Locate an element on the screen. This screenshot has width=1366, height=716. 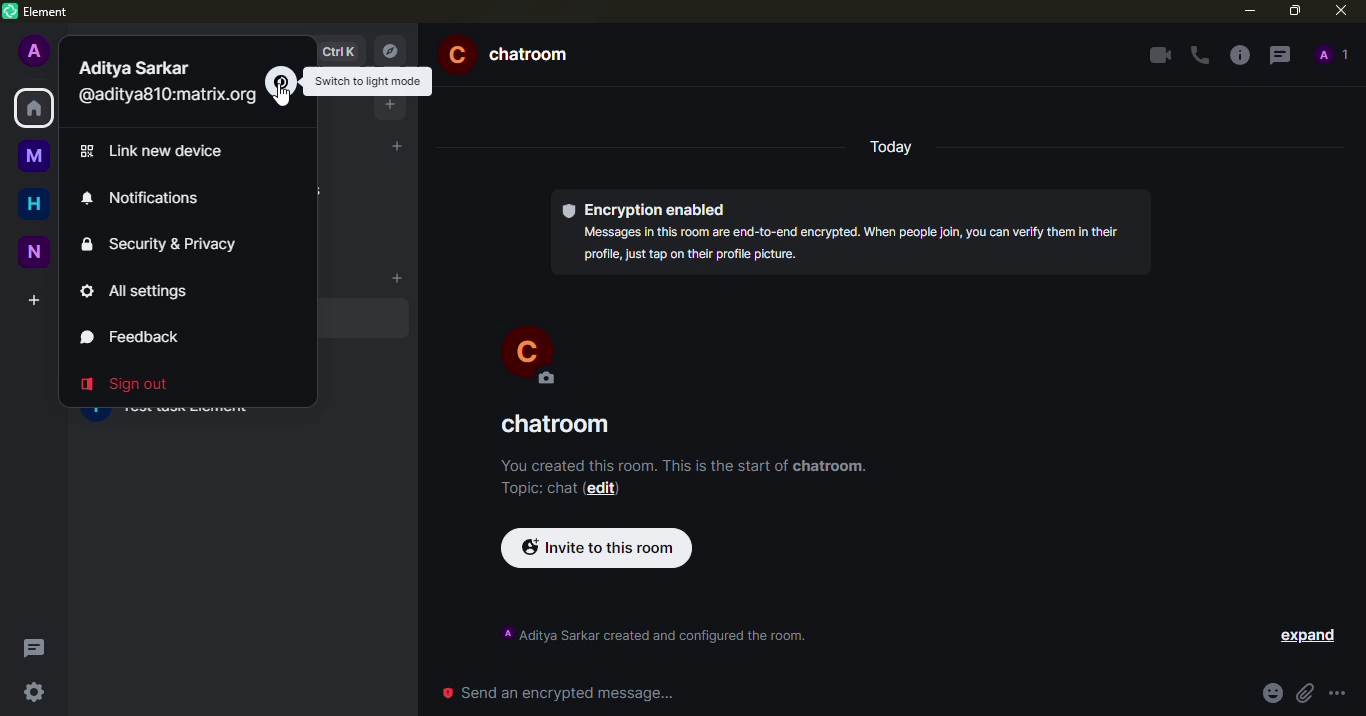
topic chat is located at coordinates (536, 488).